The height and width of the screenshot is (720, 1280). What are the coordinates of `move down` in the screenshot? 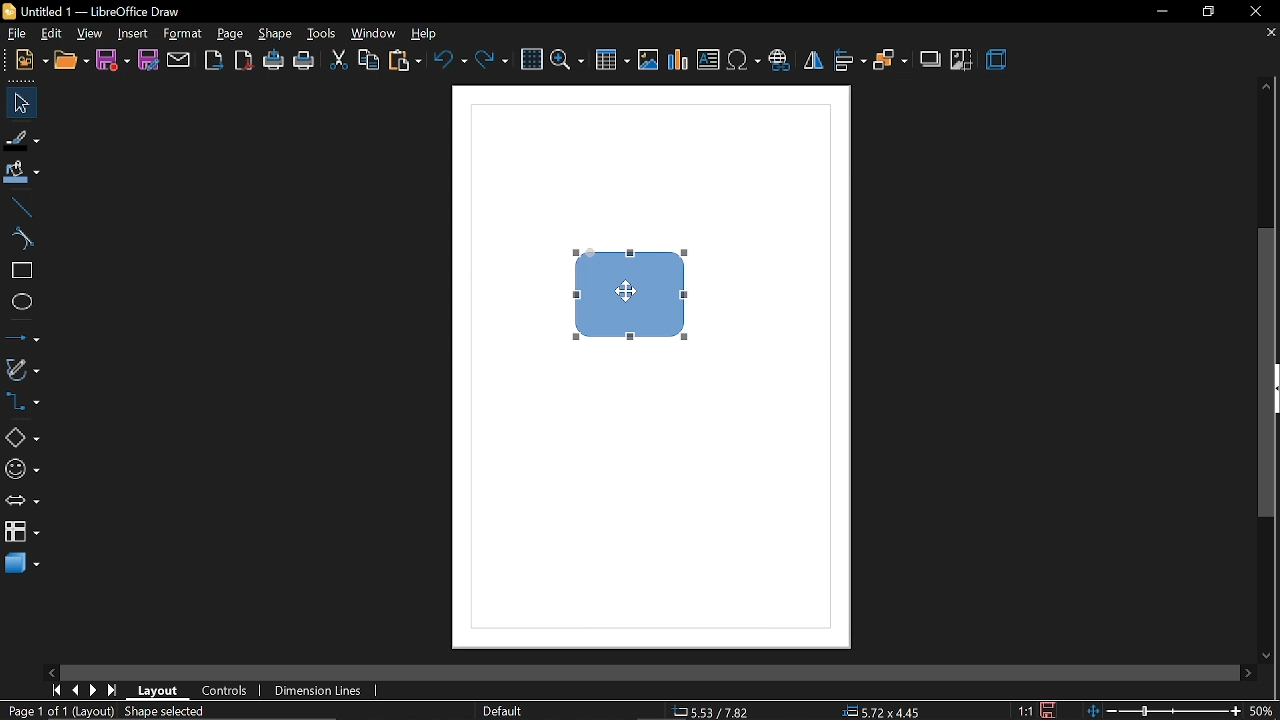 It's located at (1269, 654).